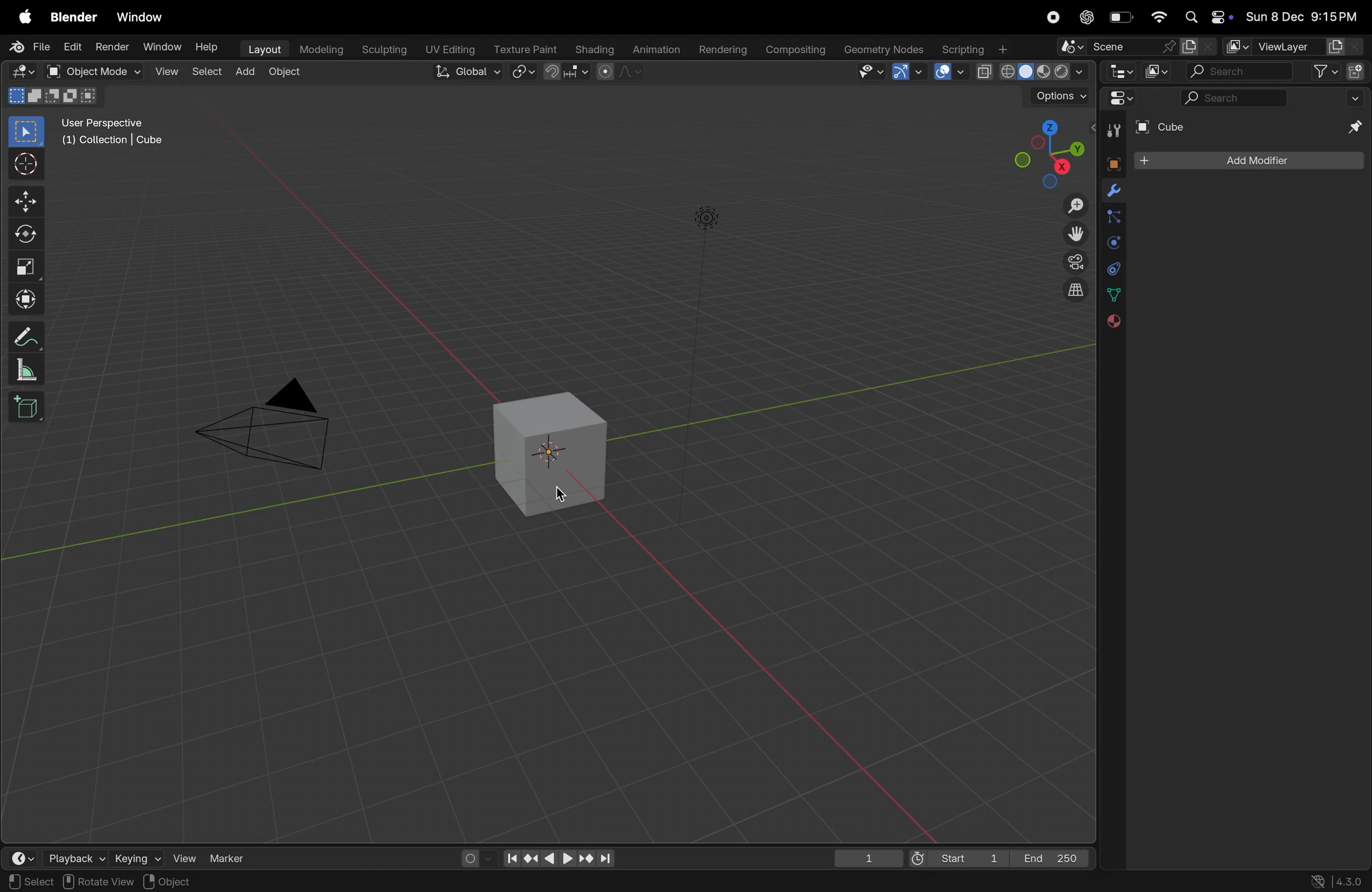 The image size is (1372, 892). I want to click on render, so click(111, 47).